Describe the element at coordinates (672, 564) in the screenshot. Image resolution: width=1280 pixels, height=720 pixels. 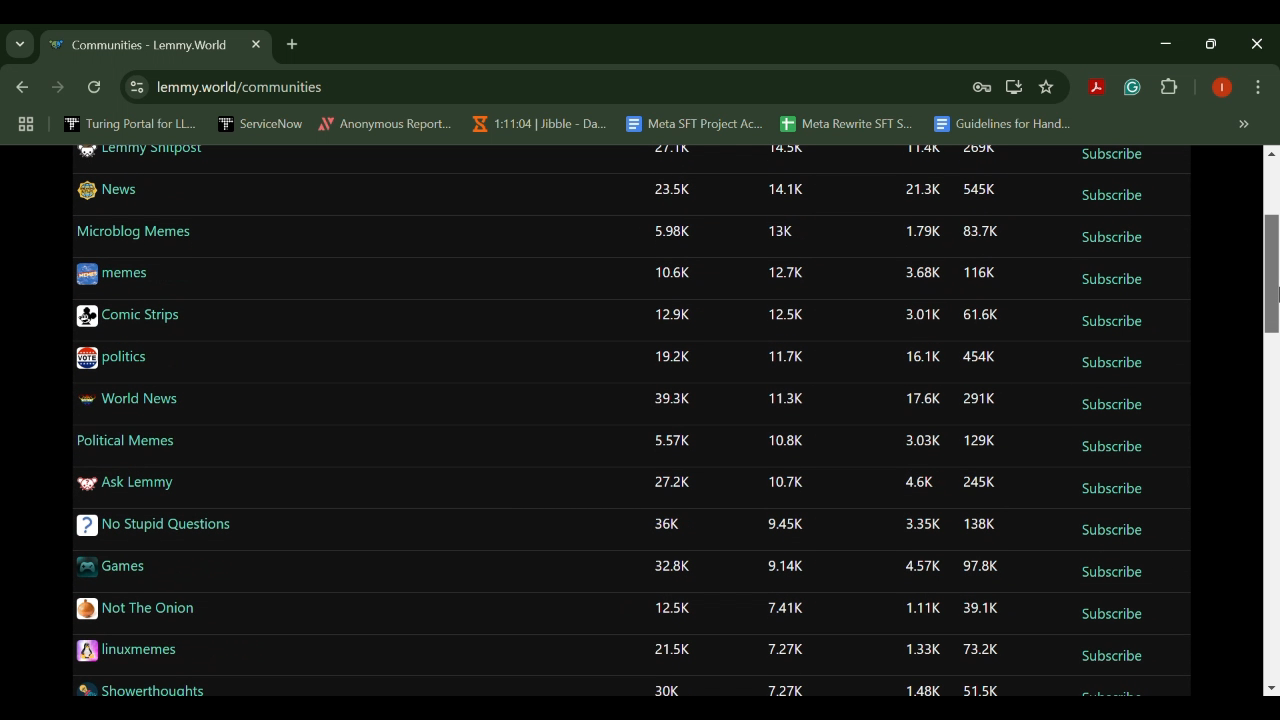
I see `32.8K` at that location.